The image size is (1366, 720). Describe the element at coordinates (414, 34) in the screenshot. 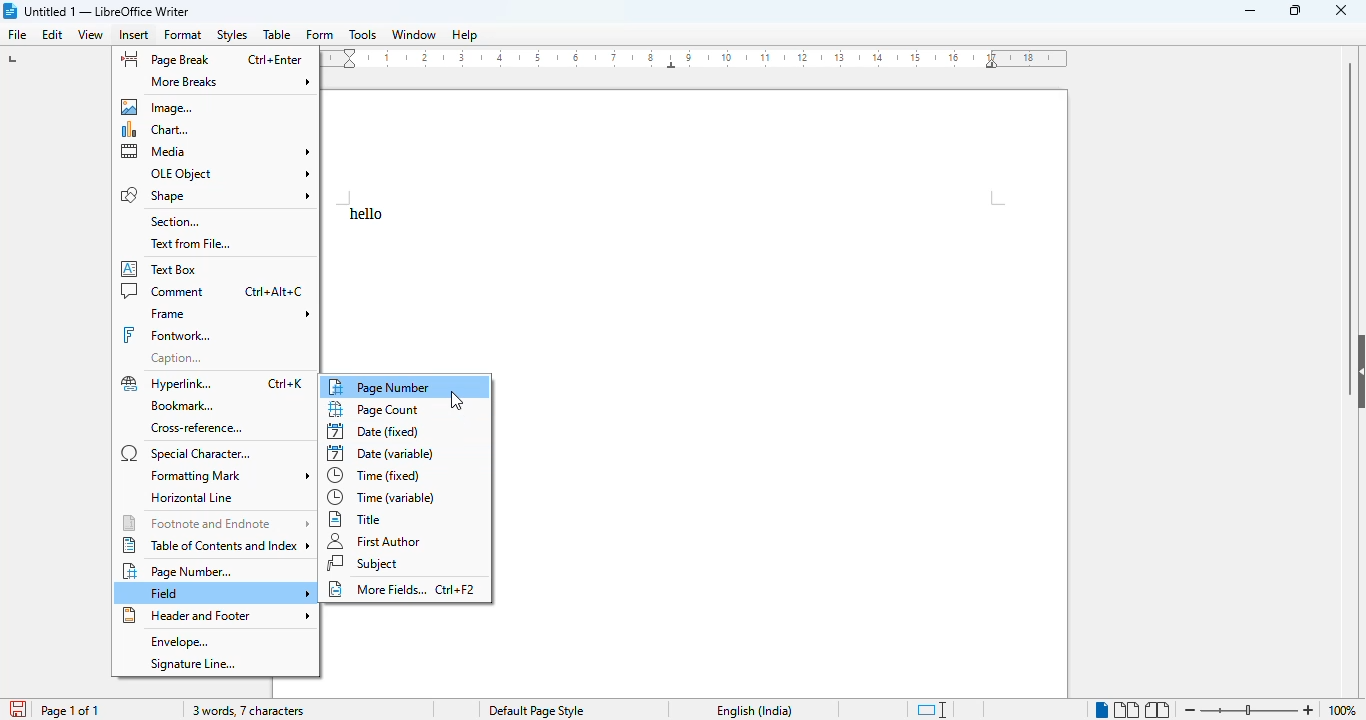

I see `window` at that location.